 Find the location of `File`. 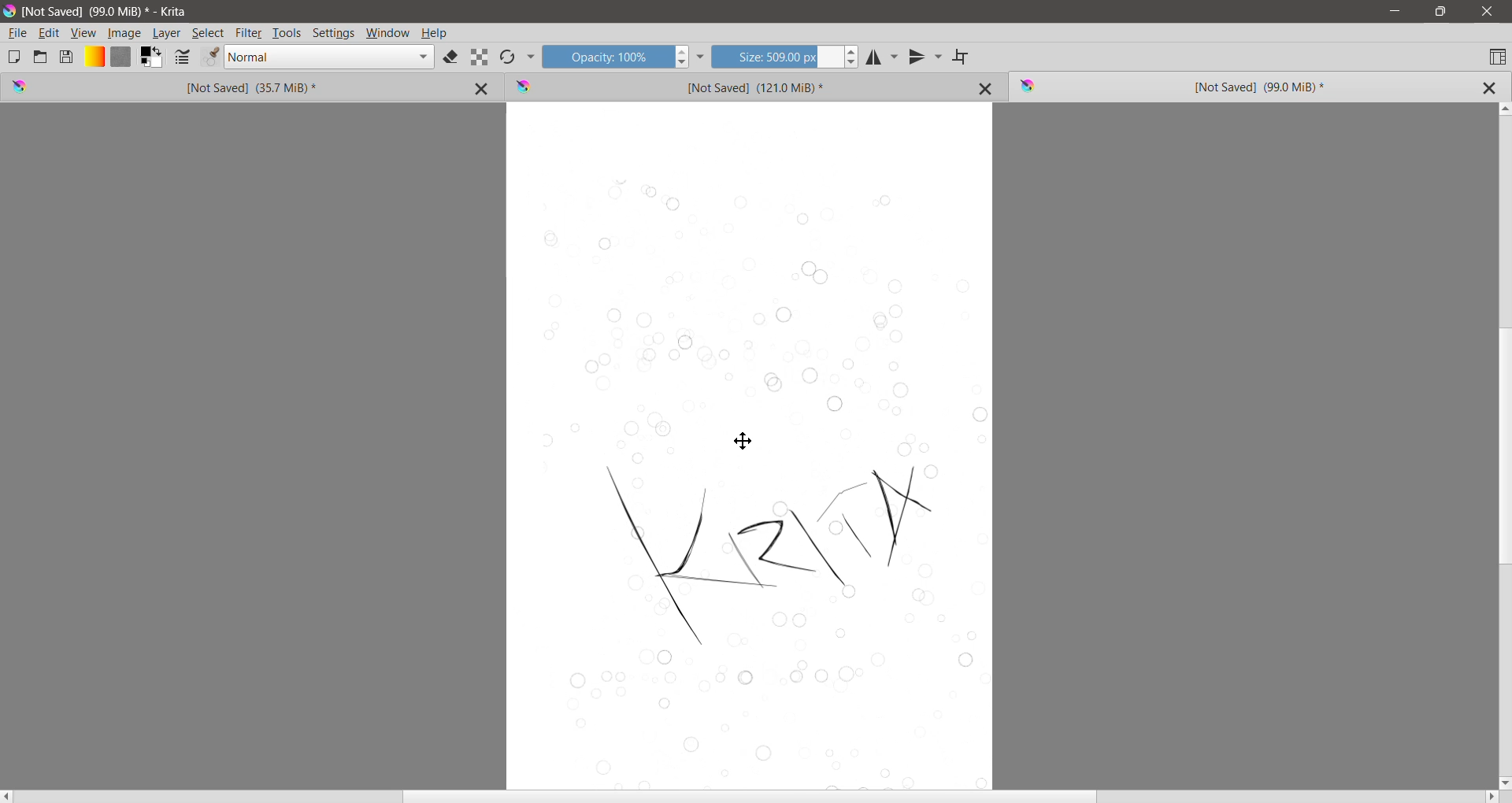

File is located at coordinates (17, 33).